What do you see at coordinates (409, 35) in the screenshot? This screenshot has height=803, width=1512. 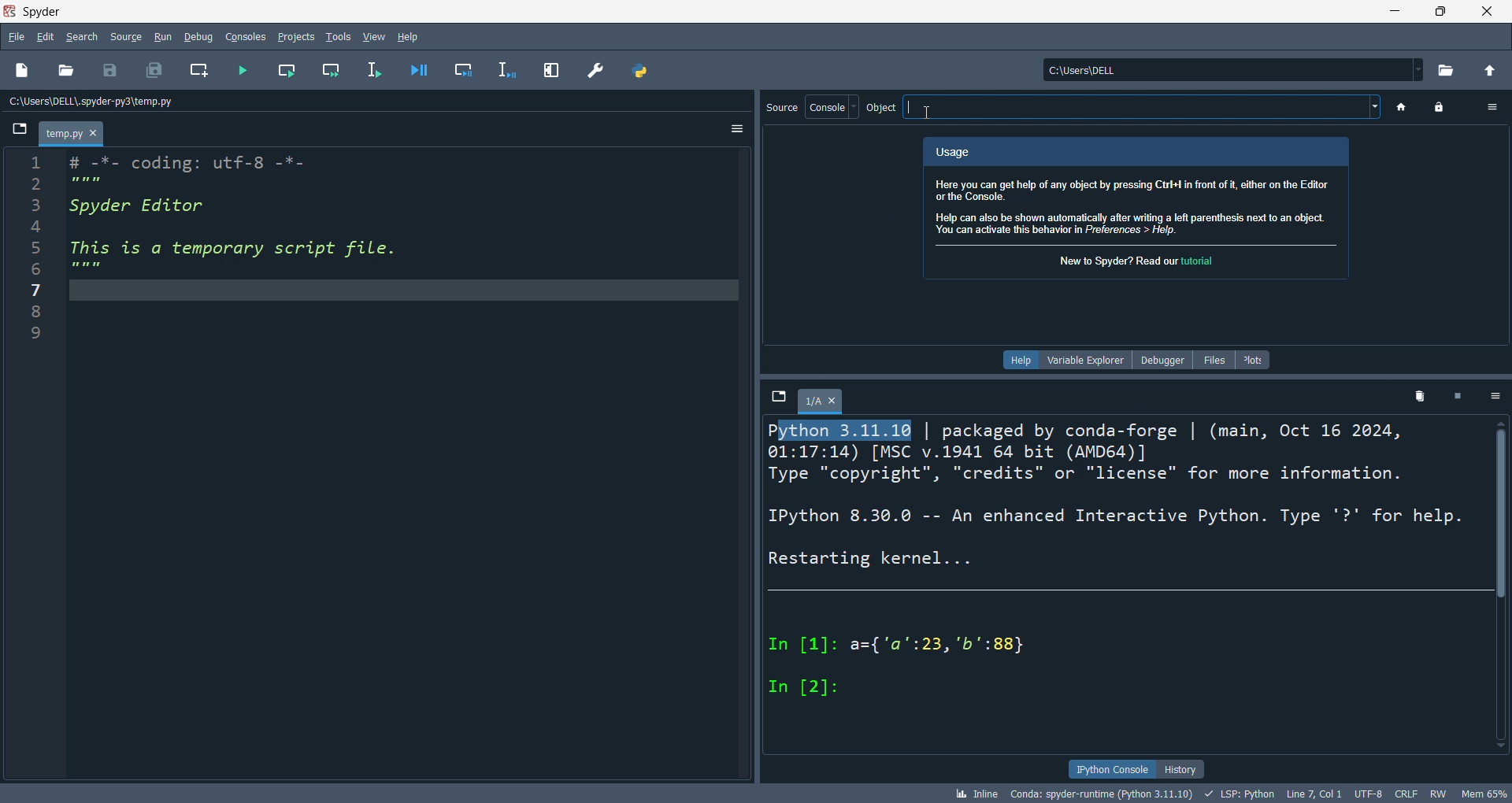 I see `help` at bounding box center [409, 35].